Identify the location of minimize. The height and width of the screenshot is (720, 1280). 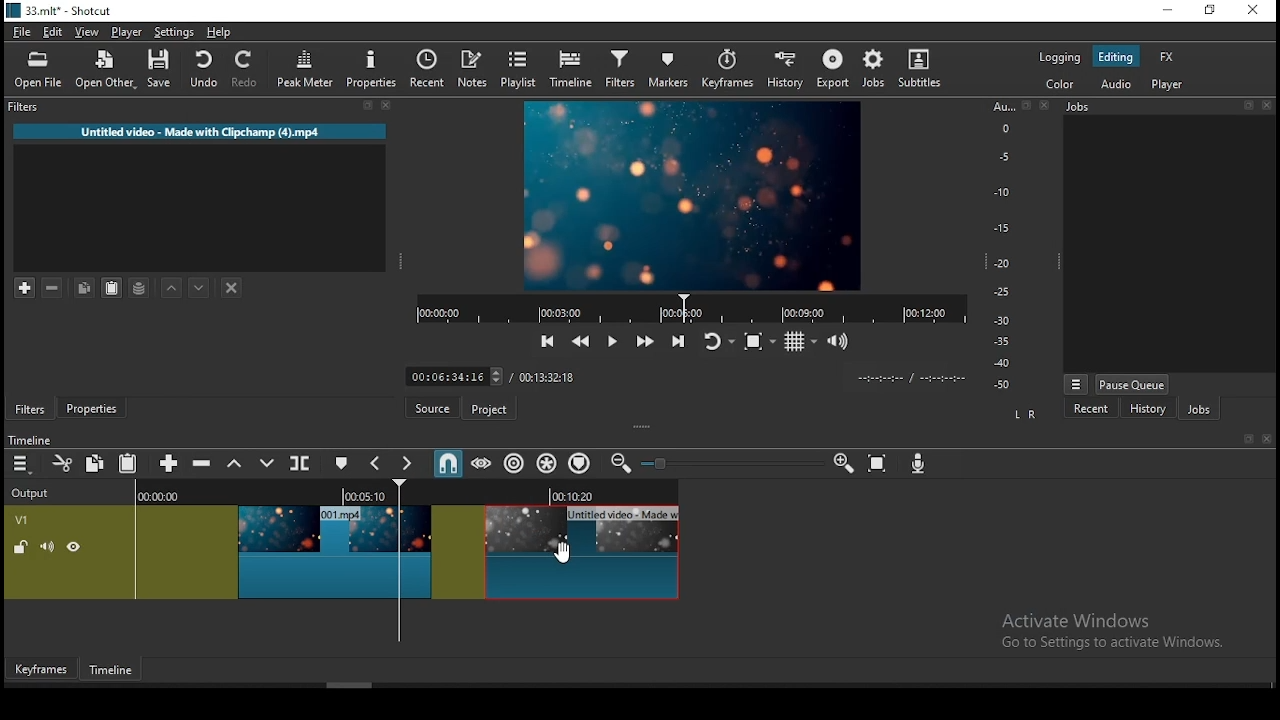
(1171, 11).